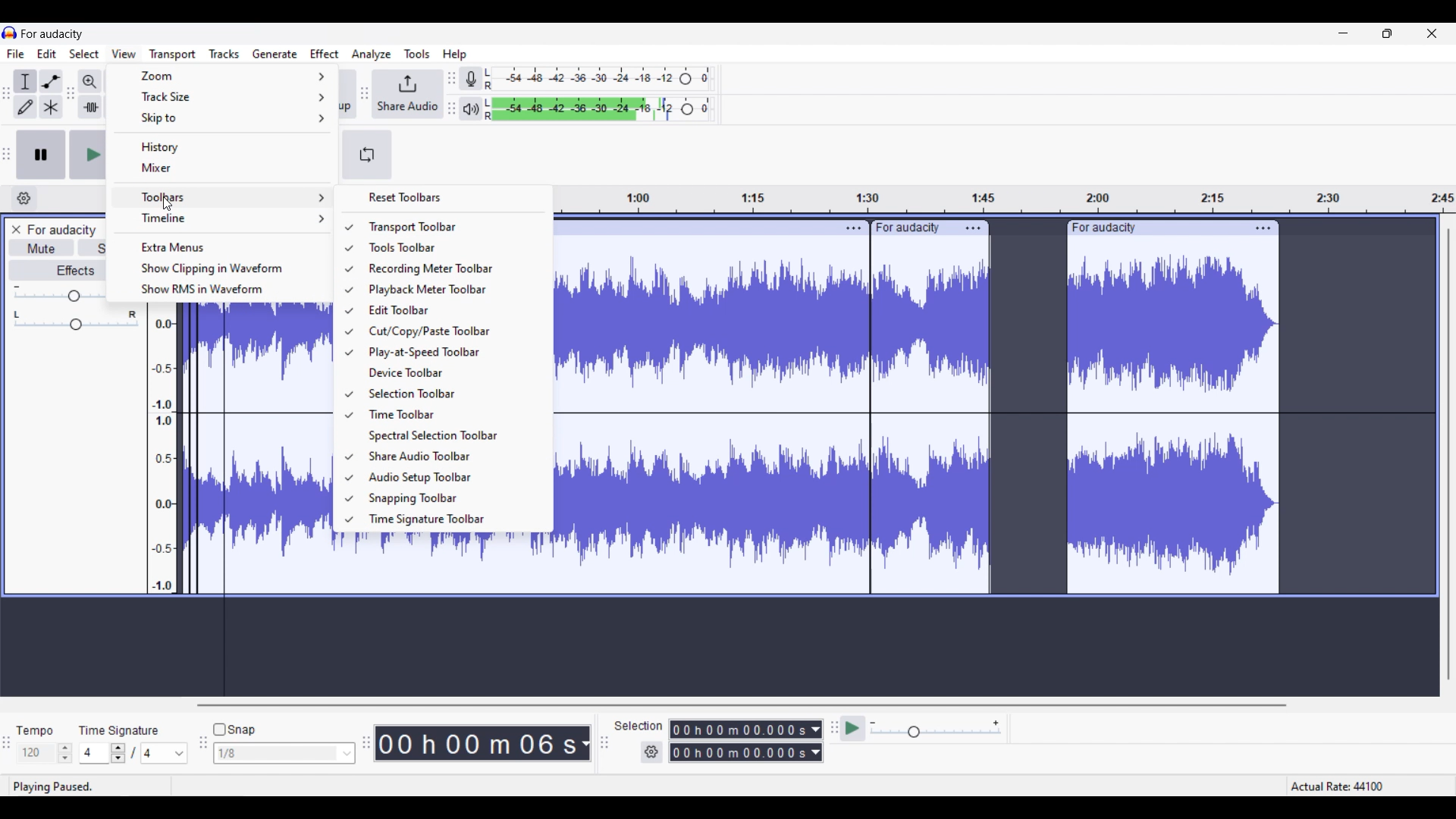 The height and width of the screenshot is (819, 1456). What do you see at coordinates (275, 55) in the screenshot?
I see `Generate menu ` at bounding box center [275, 55].